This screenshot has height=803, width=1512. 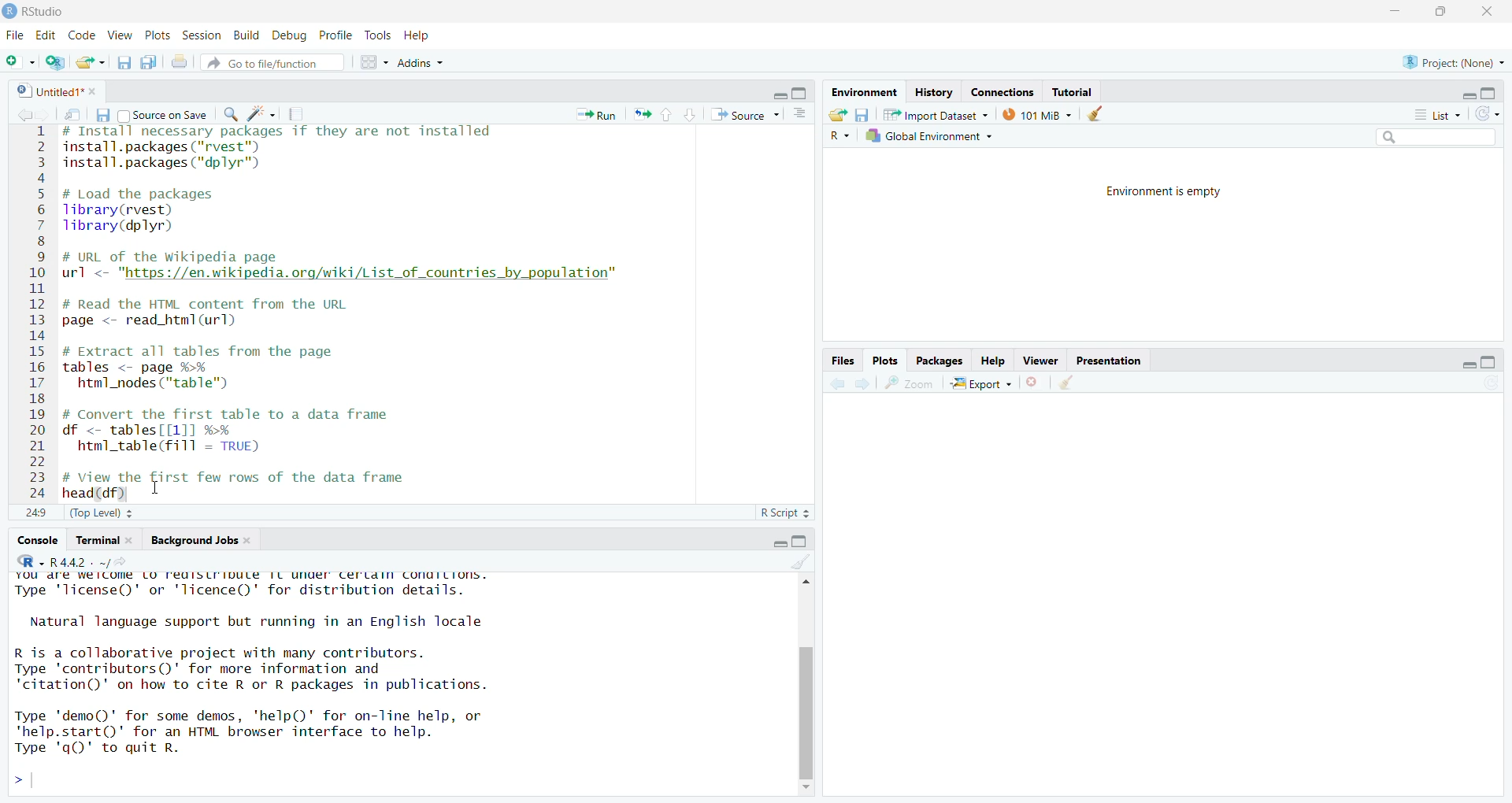 What do you see at coordinates (278, 152) in the screenshot?
I see ` install necessary packages if they are not installed install.packages ("rvest") install.packages ("dplyr")` at bounding box center [278, 152].